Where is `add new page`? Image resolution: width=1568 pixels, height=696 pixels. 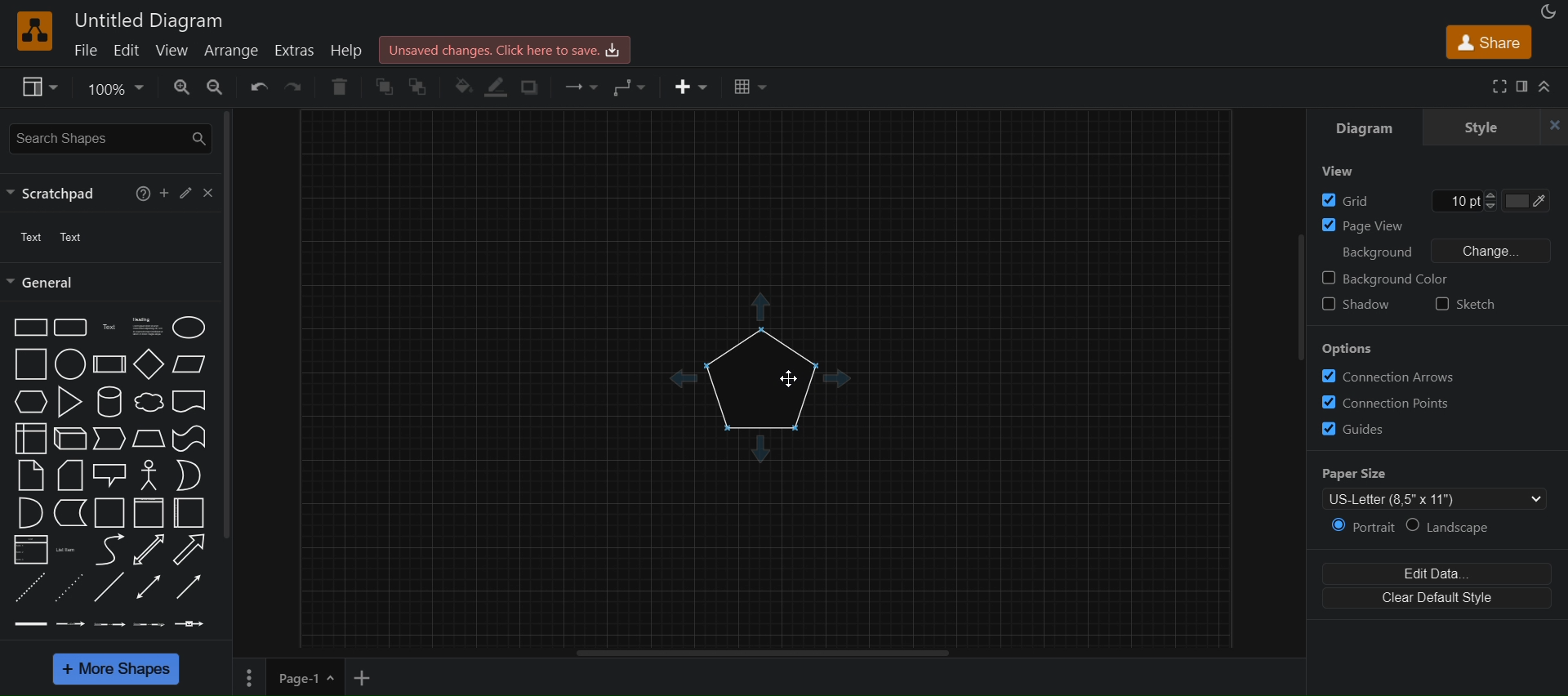 add new page is located at coordinates (363, 678).